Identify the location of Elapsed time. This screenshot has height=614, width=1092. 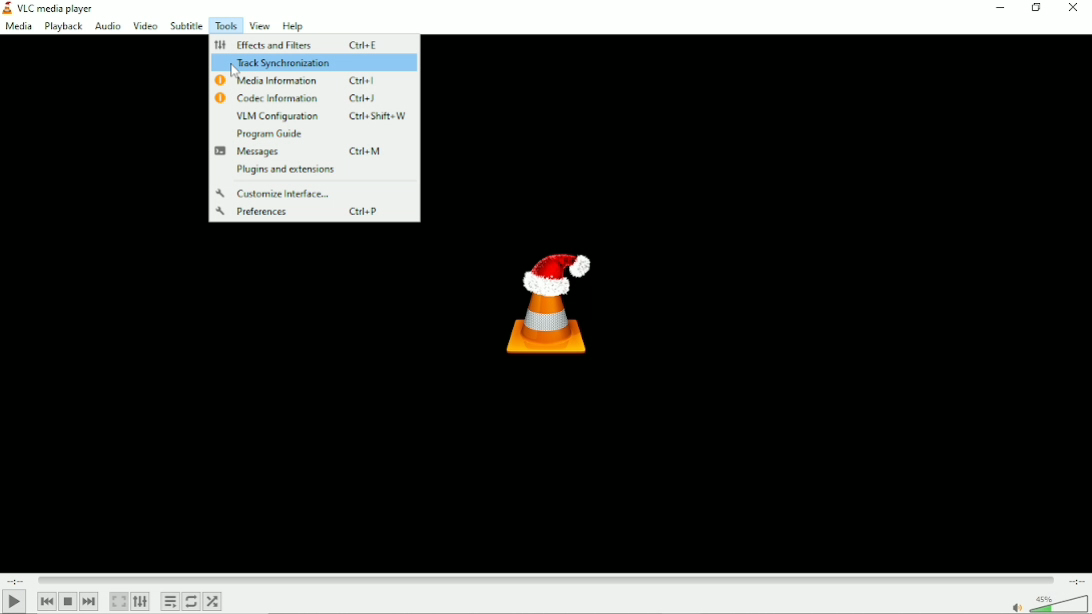
(17, 579).